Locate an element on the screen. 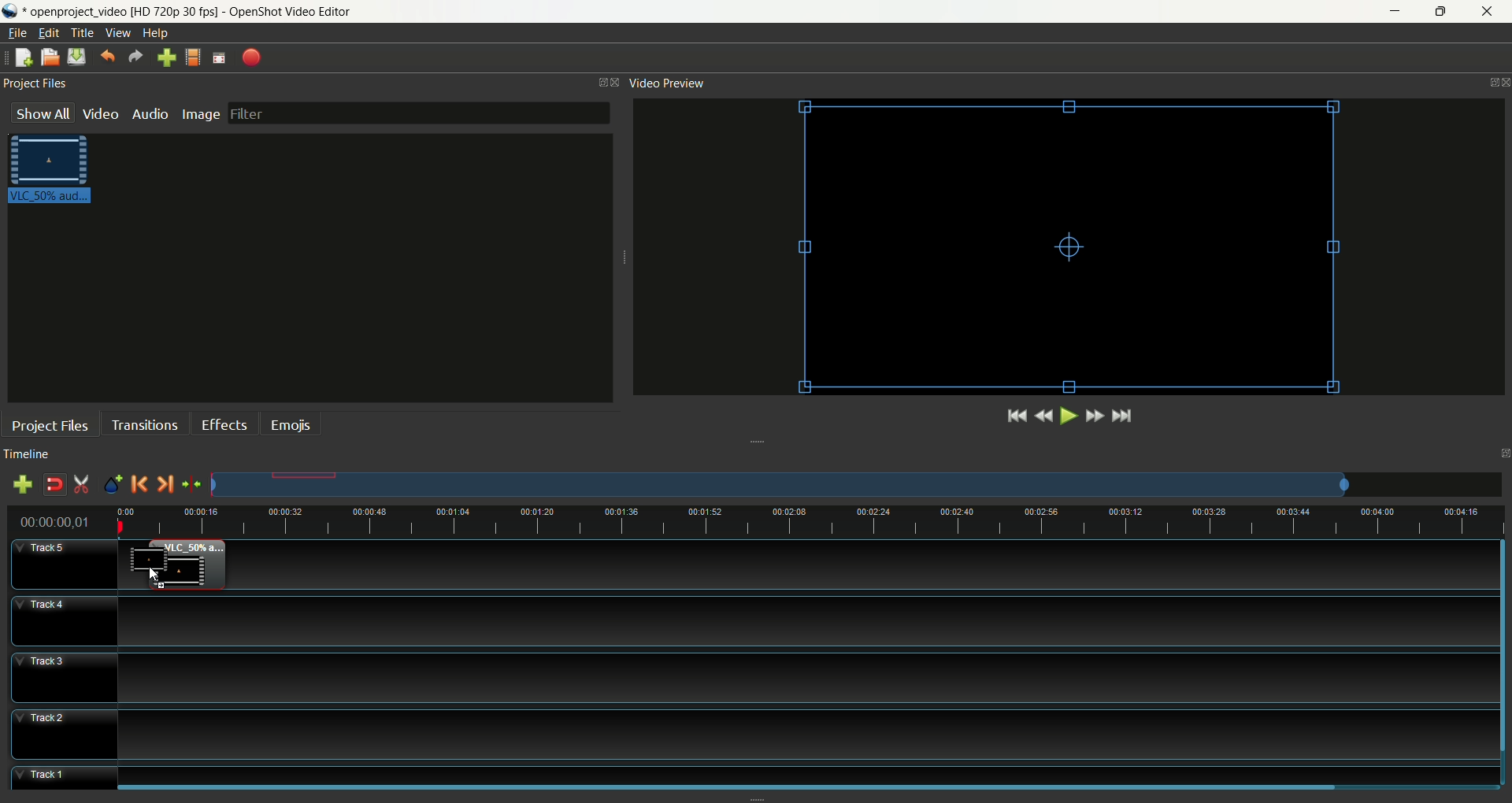  import files is located at coordinates (166, 57).